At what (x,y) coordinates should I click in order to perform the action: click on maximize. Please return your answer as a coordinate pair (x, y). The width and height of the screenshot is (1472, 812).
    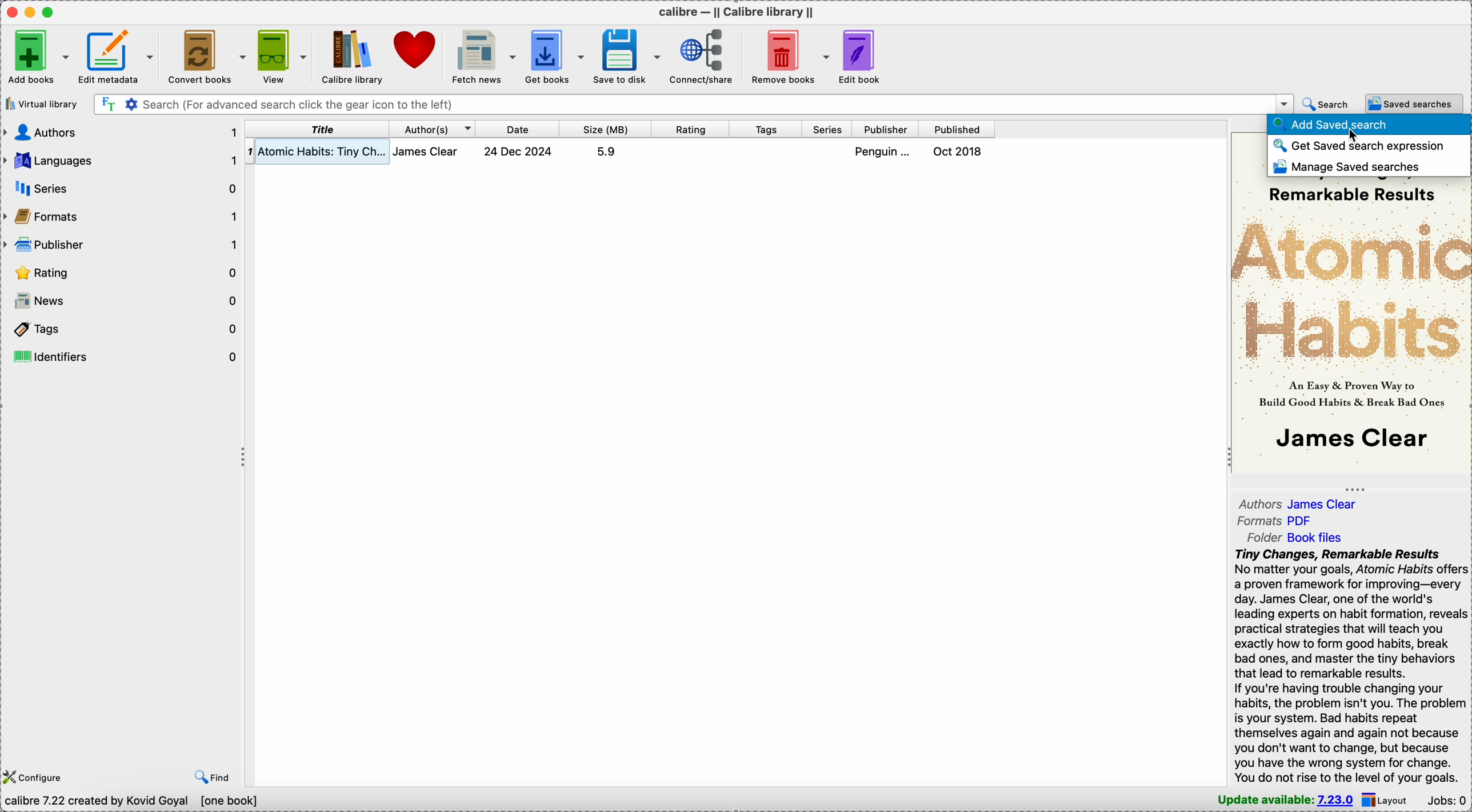
    Looking at the image, I should click on (51, 11).